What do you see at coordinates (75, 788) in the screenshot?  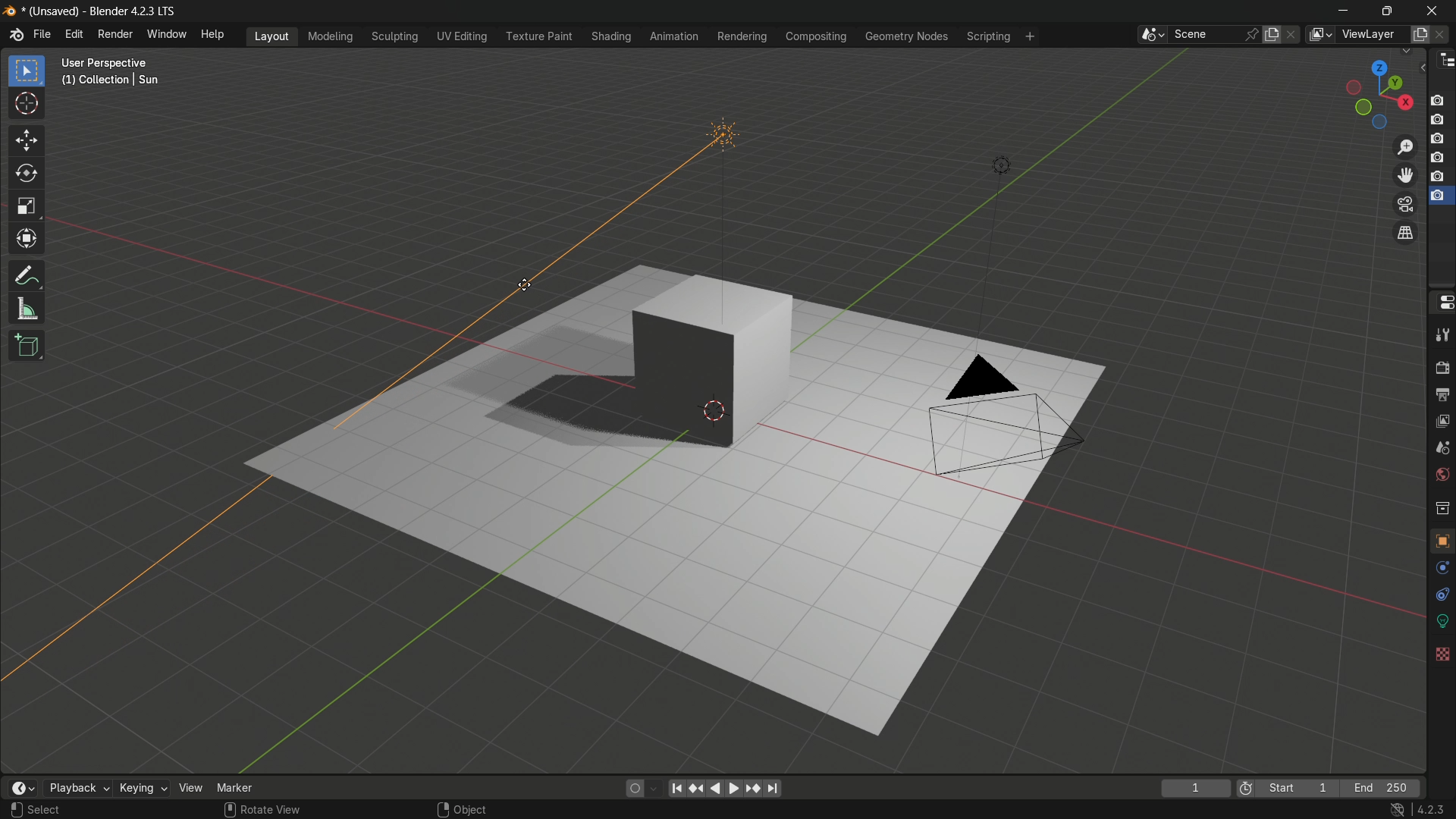 I see `playback` at bounding box center [75, 788].